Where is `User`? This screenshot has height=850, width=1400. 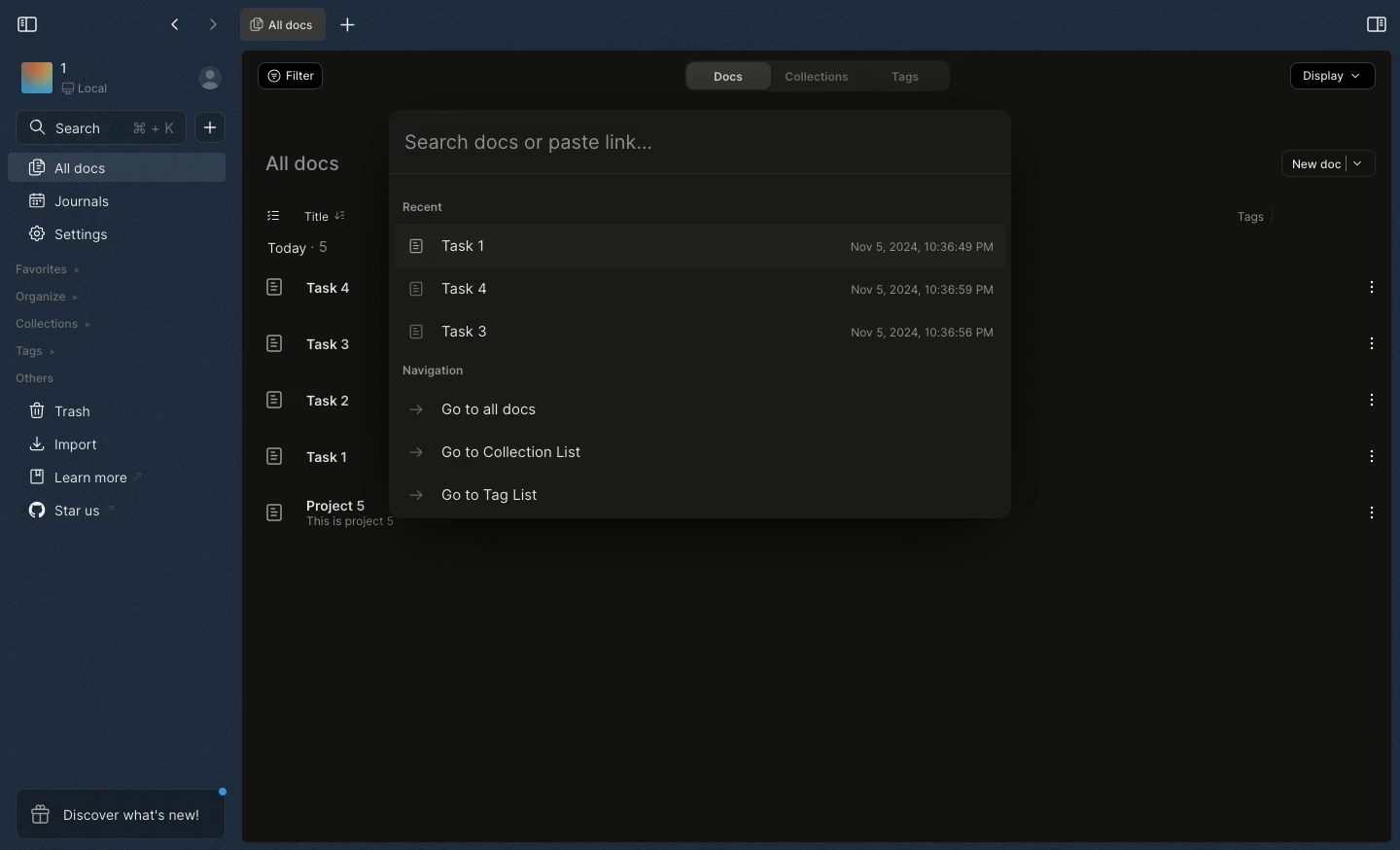 User is located at coordinates (209, 81).